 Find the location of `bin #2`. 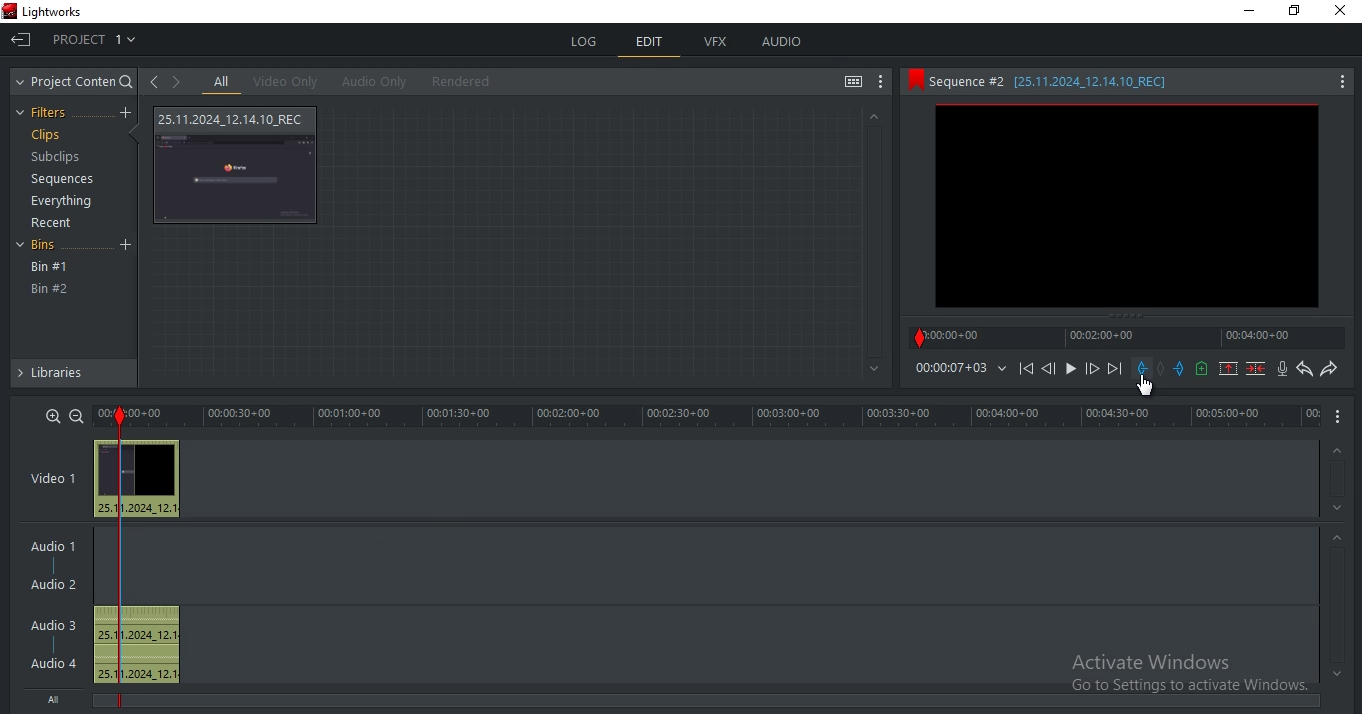

bin #2 is located at coordinates (50, 289).